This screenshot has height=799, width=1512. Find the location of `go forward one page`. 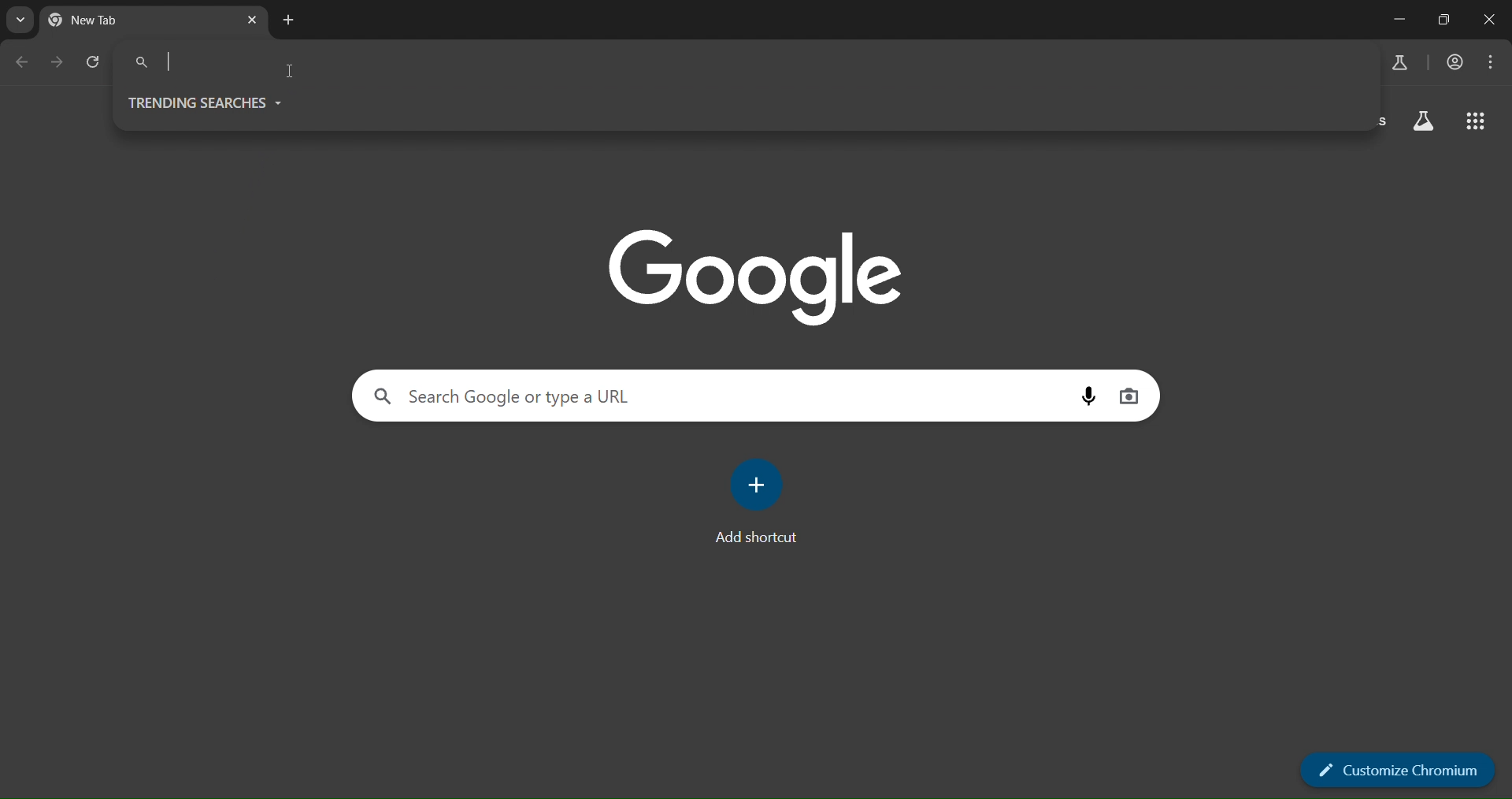

go forward one page is located at coordinates (56, 62).